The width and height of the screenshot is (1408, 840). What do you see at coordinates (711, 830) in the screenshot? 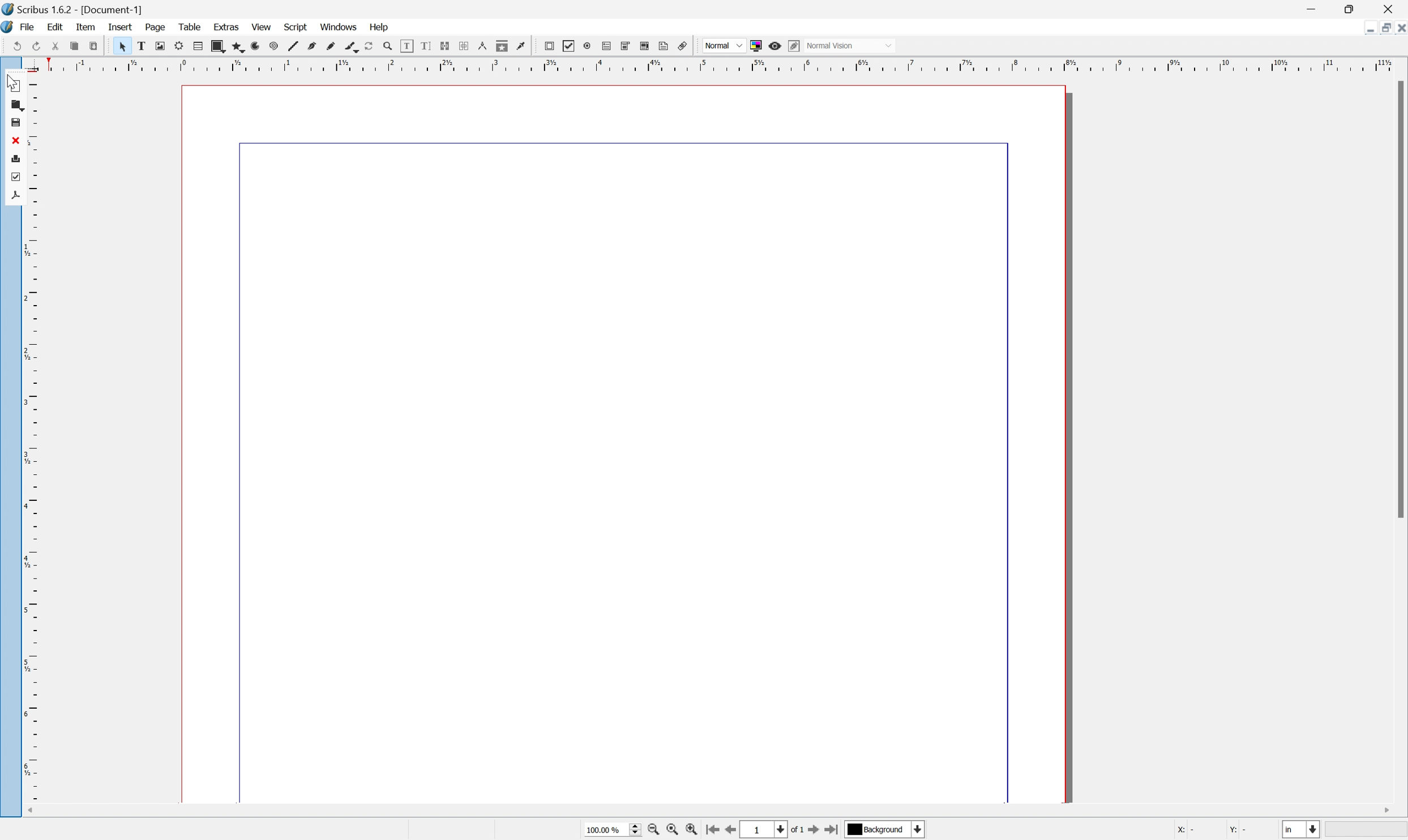
I see `go to first page` at bounding box center [711, 830].